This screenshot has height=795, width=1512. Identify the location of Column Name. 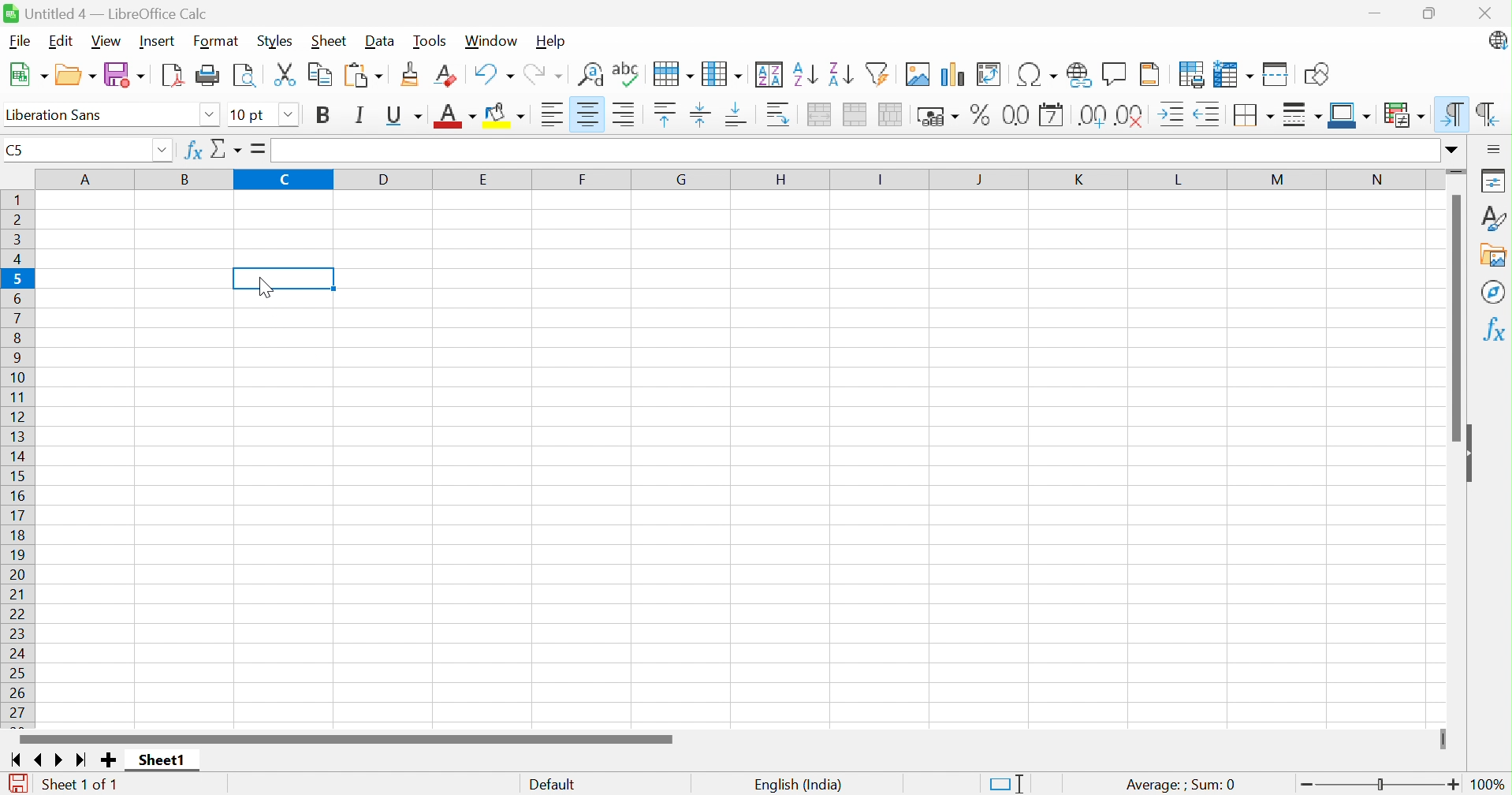
(736, 180).